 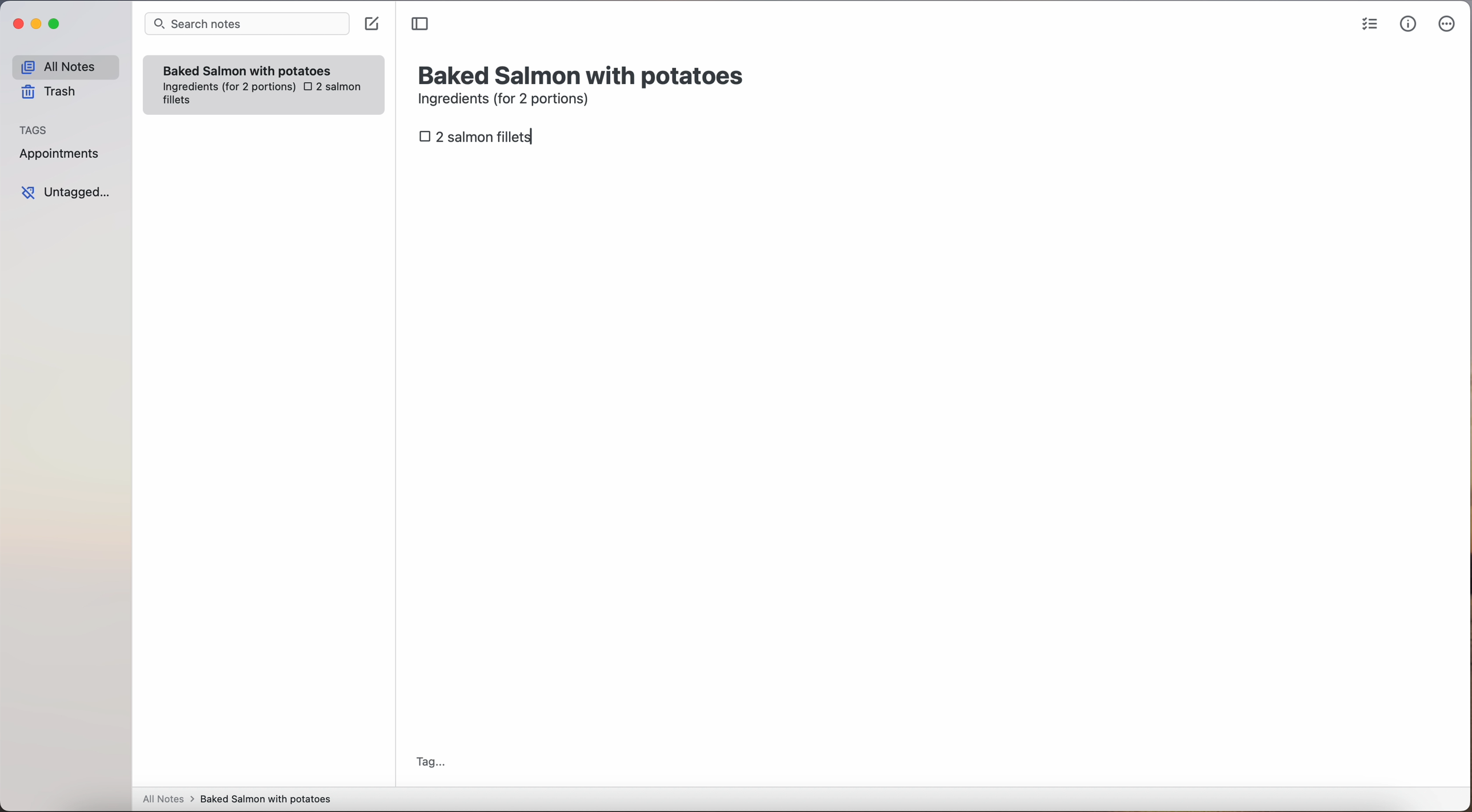 What do you see at coordinates (430, 763) in the screenshot?
I see `tag` at bounding box center [430, 763].